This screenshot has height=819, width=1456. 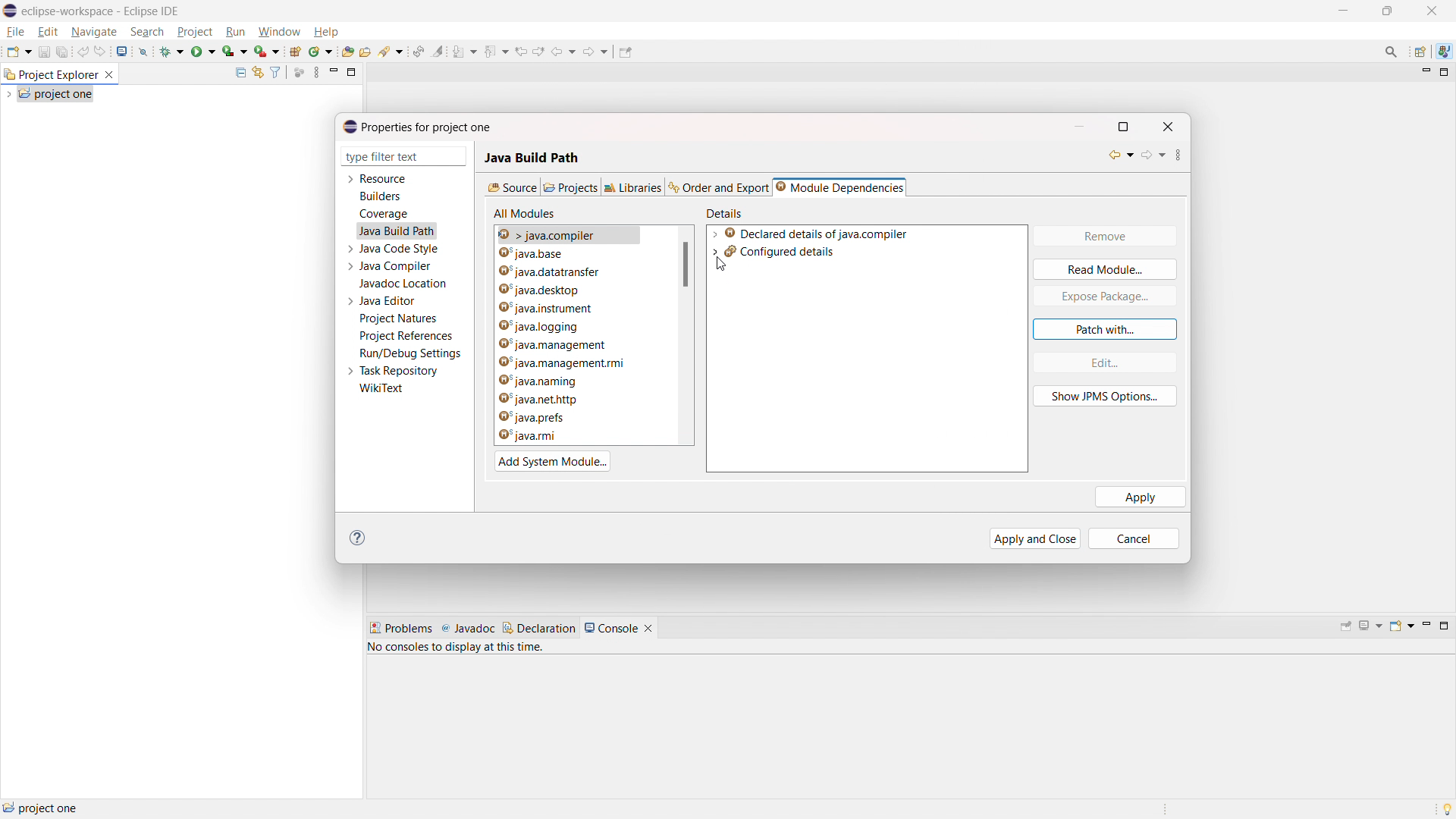 I want to click on skip all breakpoint, so click(x=143, y=50).